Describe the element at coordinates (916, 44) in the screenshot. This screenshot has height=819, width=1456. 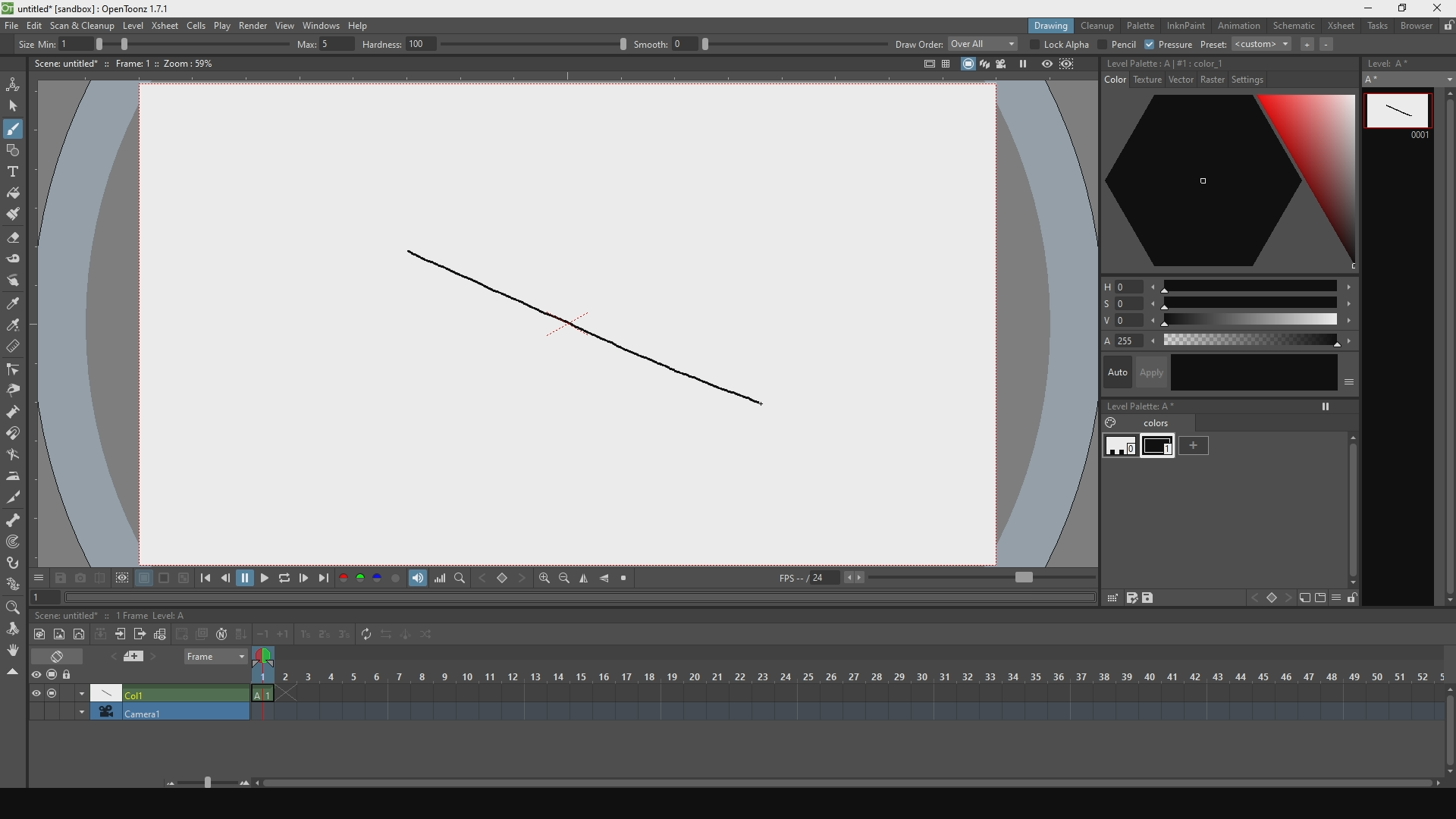
I see `draw order` at that location.